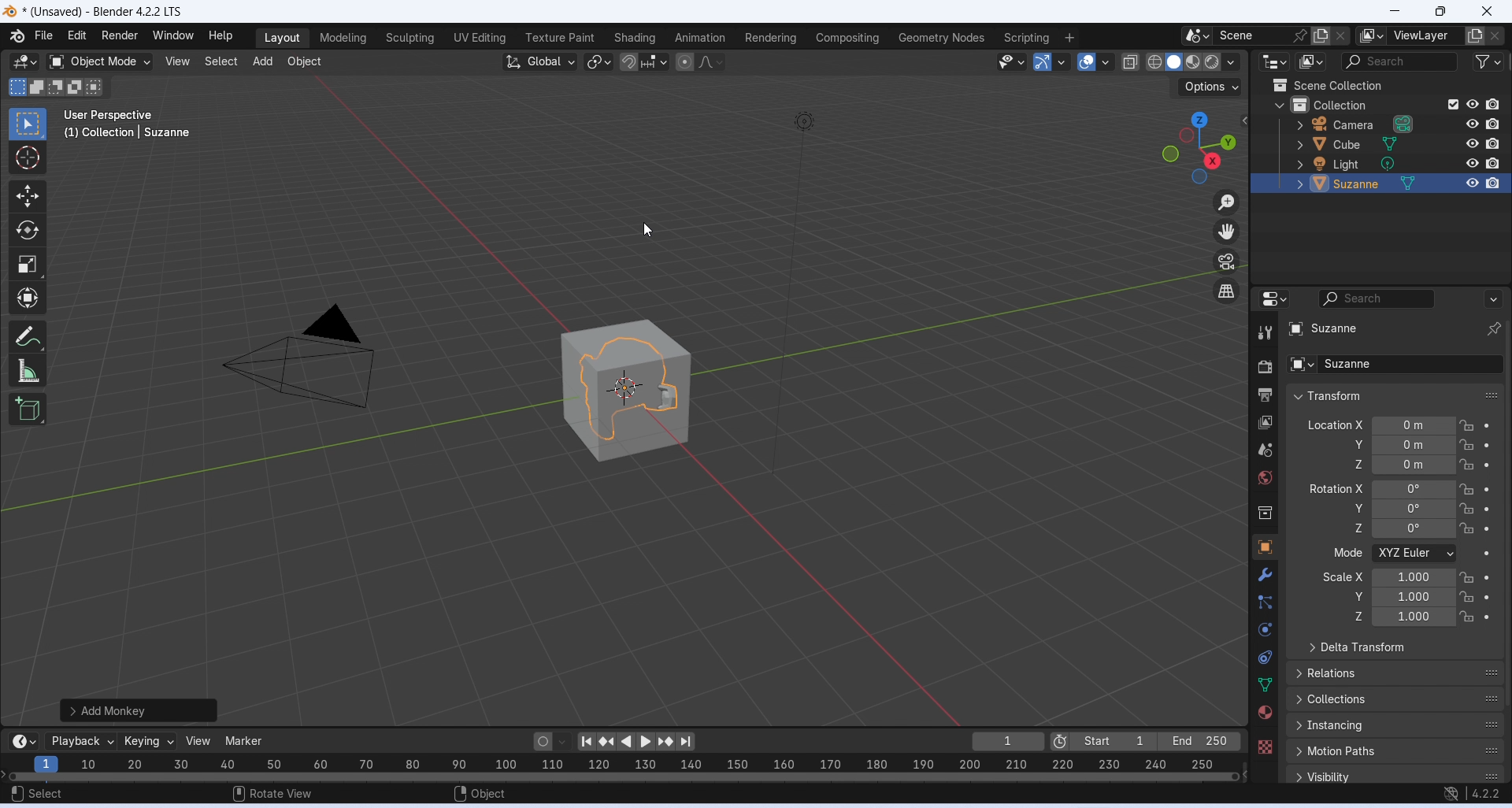 The image size is (1512, 808). Describe the element at coordinates (1492, 124) in the screenshot. I see `disable in renders` at that location.